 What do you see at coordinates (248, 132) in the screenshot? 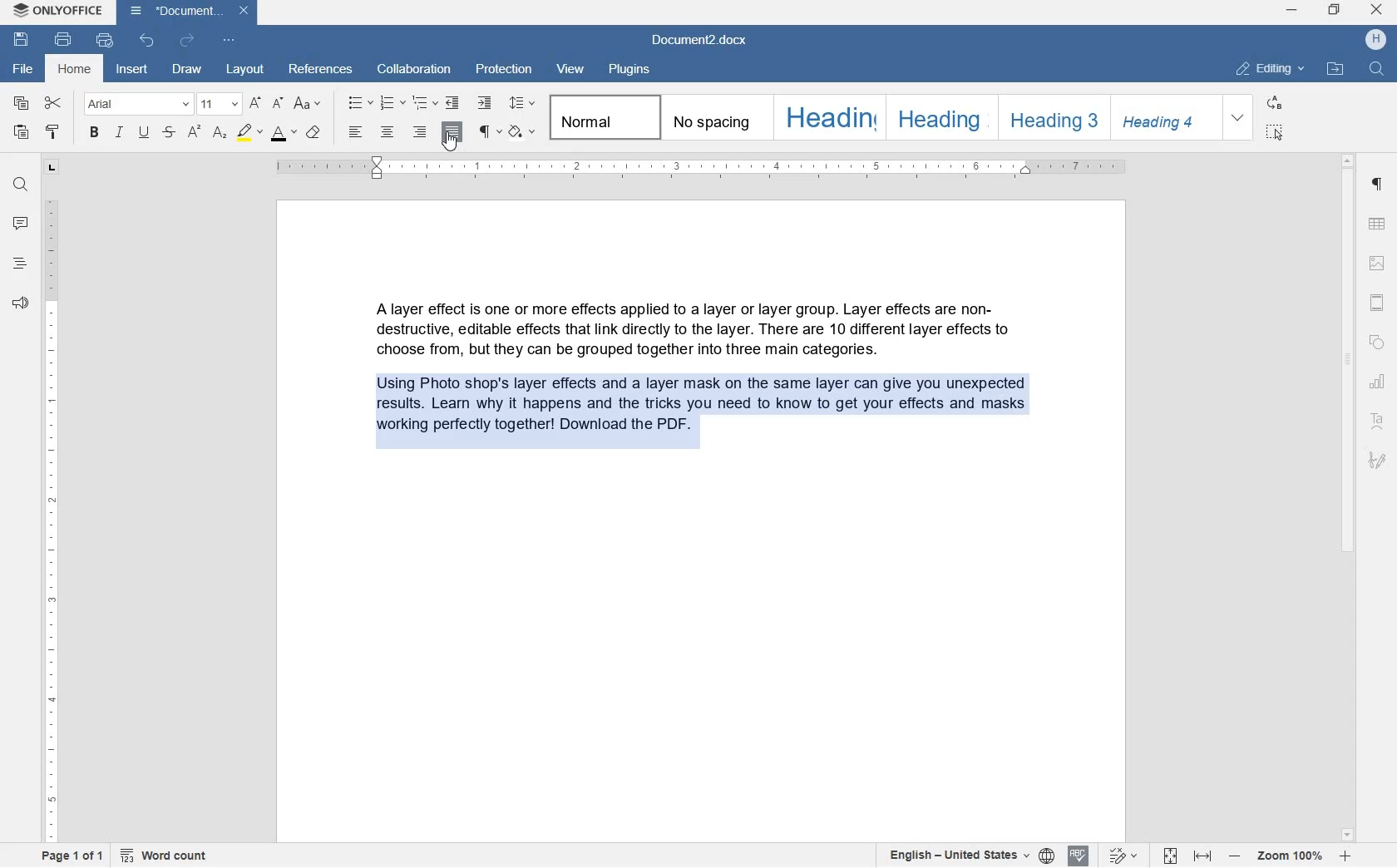
I see `HIGHLIGHT COLOR` at bounding box center [248, 132].